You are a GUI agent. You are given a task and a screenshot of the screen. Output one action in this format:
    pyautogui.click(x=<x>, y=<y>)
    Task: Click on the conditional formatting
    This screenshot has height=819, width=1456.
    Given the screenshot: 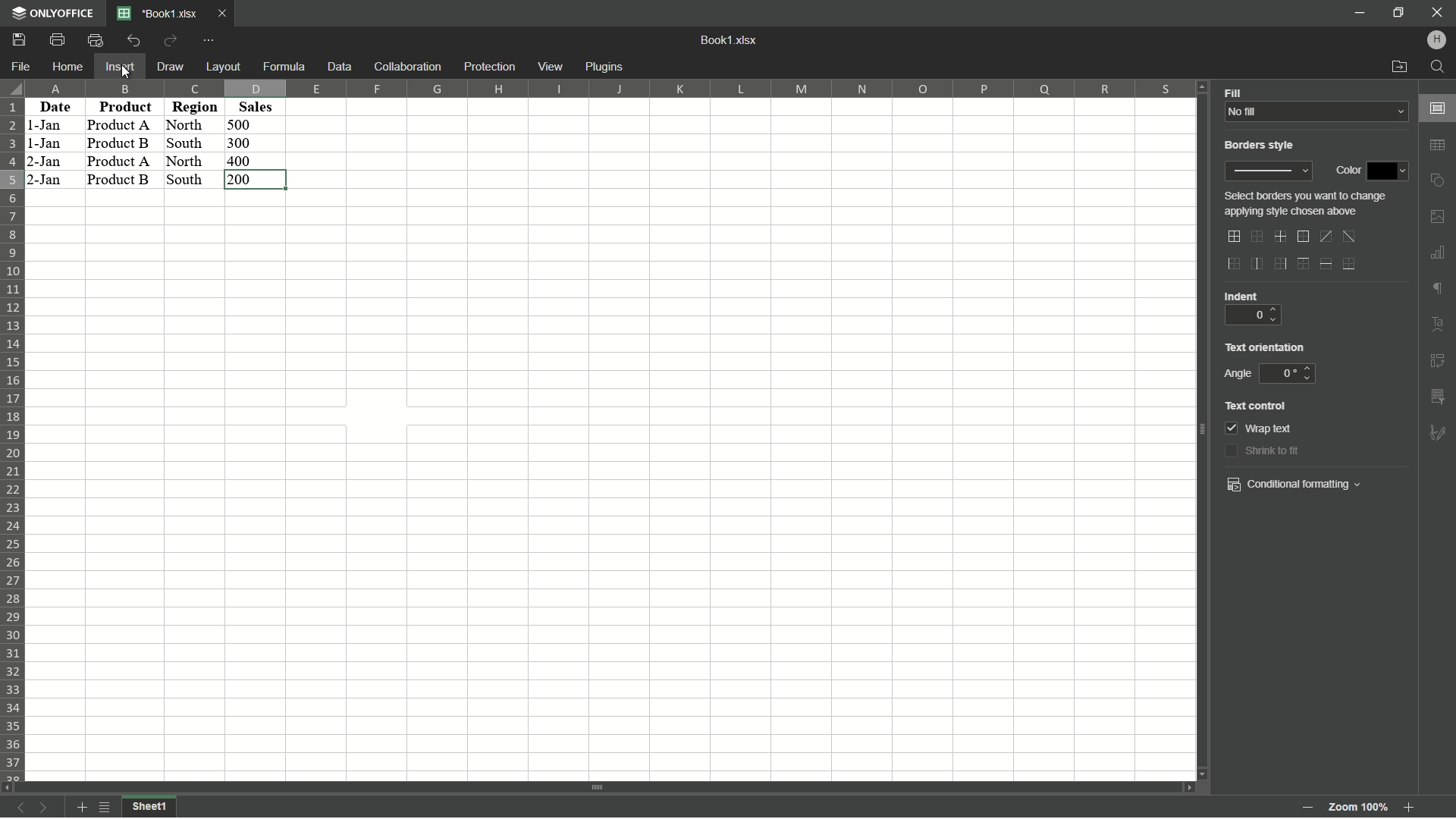 What is the action you would take?
    pyautogui.click(x=1287, y=485)
    